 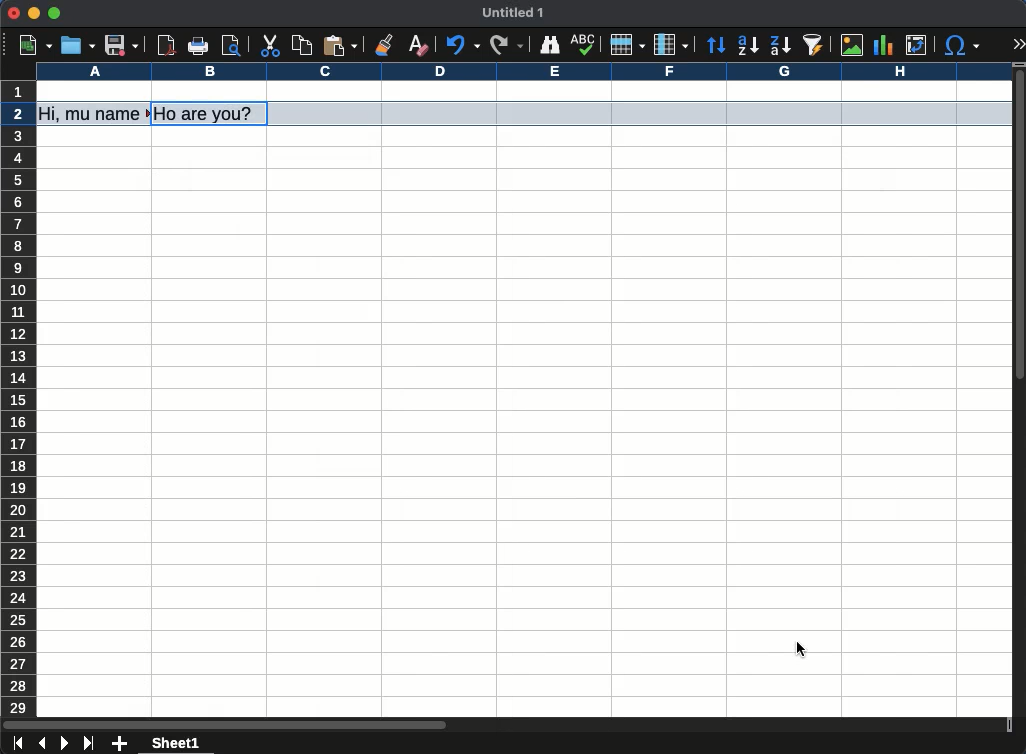 I want to click on finder, so click(x=550, y=46).